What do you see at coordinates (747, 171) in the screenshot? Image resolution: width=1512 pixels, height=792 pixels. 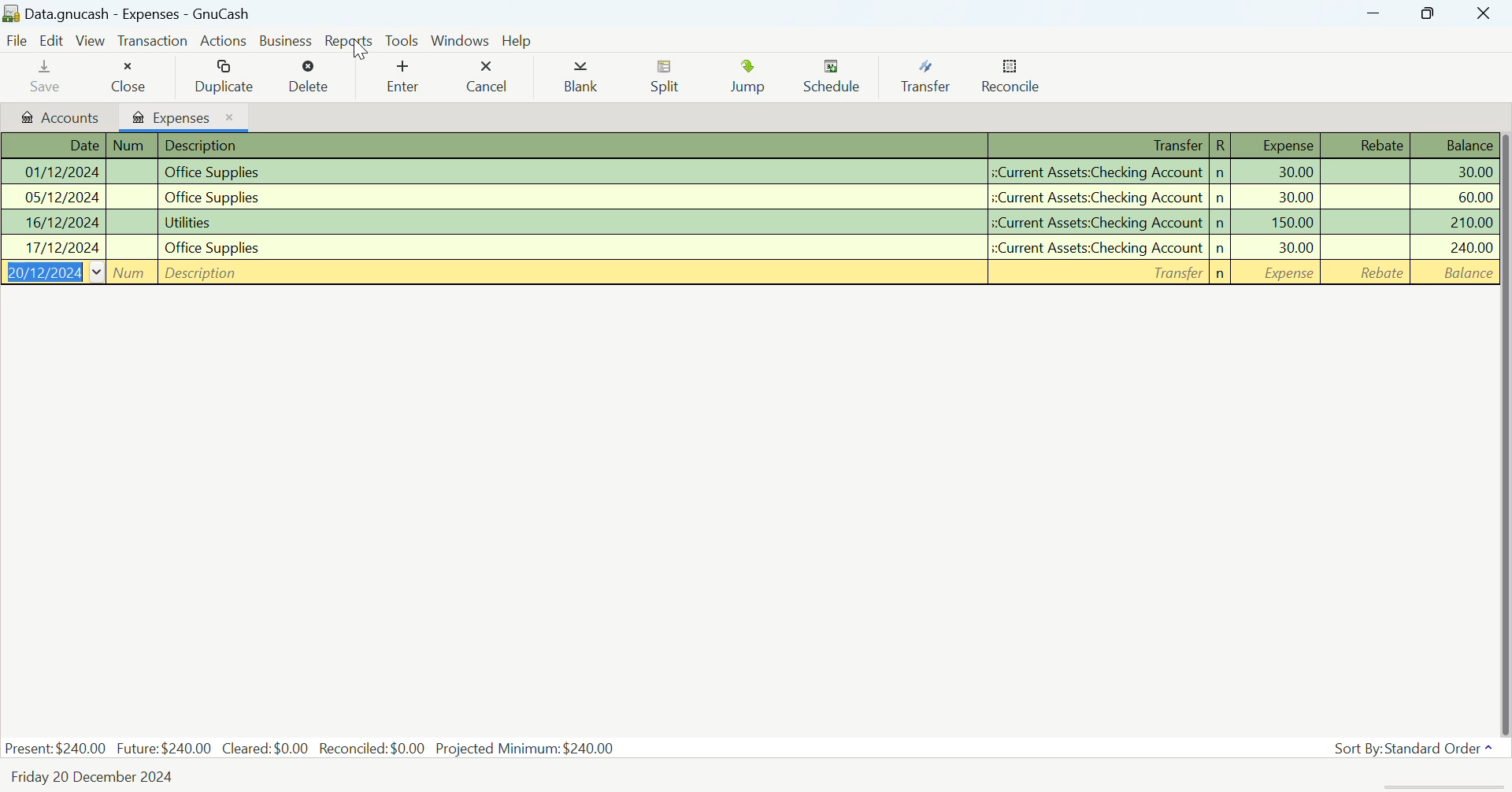 I see `Office Supplies Transaction` at bounding box center [747, 171].